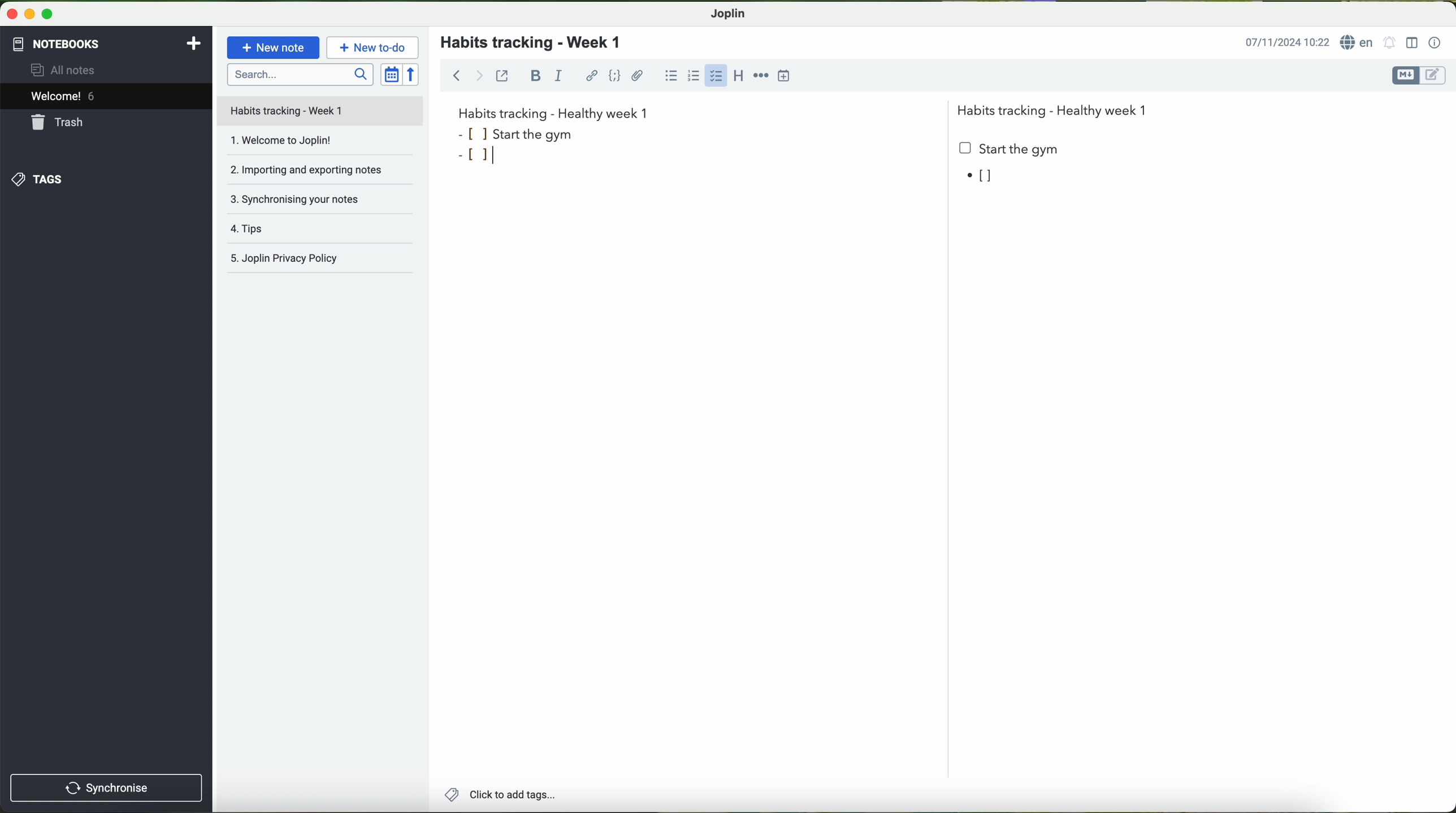 The image size is (1456, 813). What do you see at coordinates (48, 14) in the screenshot?
I see `maximize` at bounding box center [48, 14].